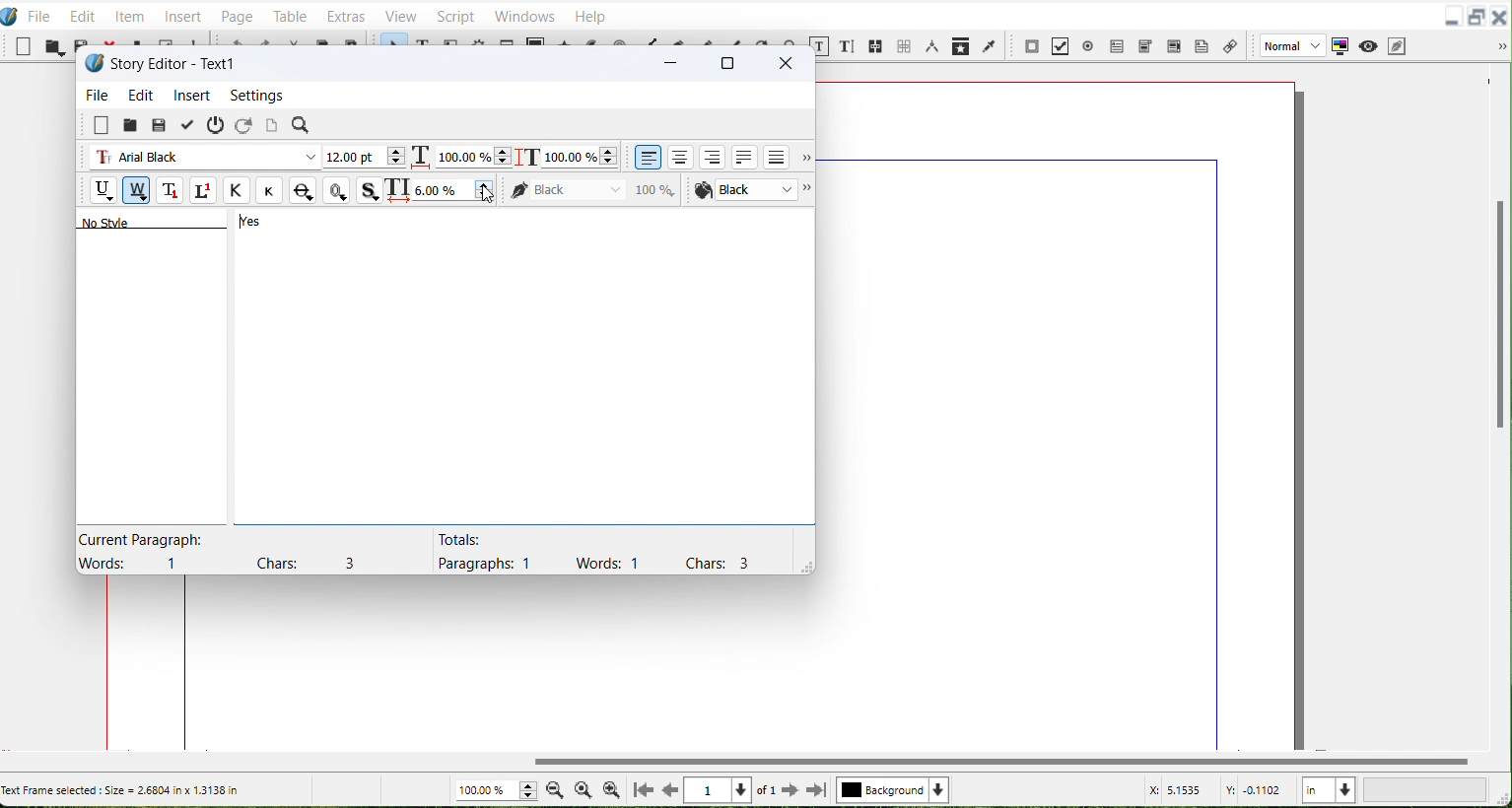 The image size is (1512, 808). I want to click on PDF Text Field, so click(1118, 43).